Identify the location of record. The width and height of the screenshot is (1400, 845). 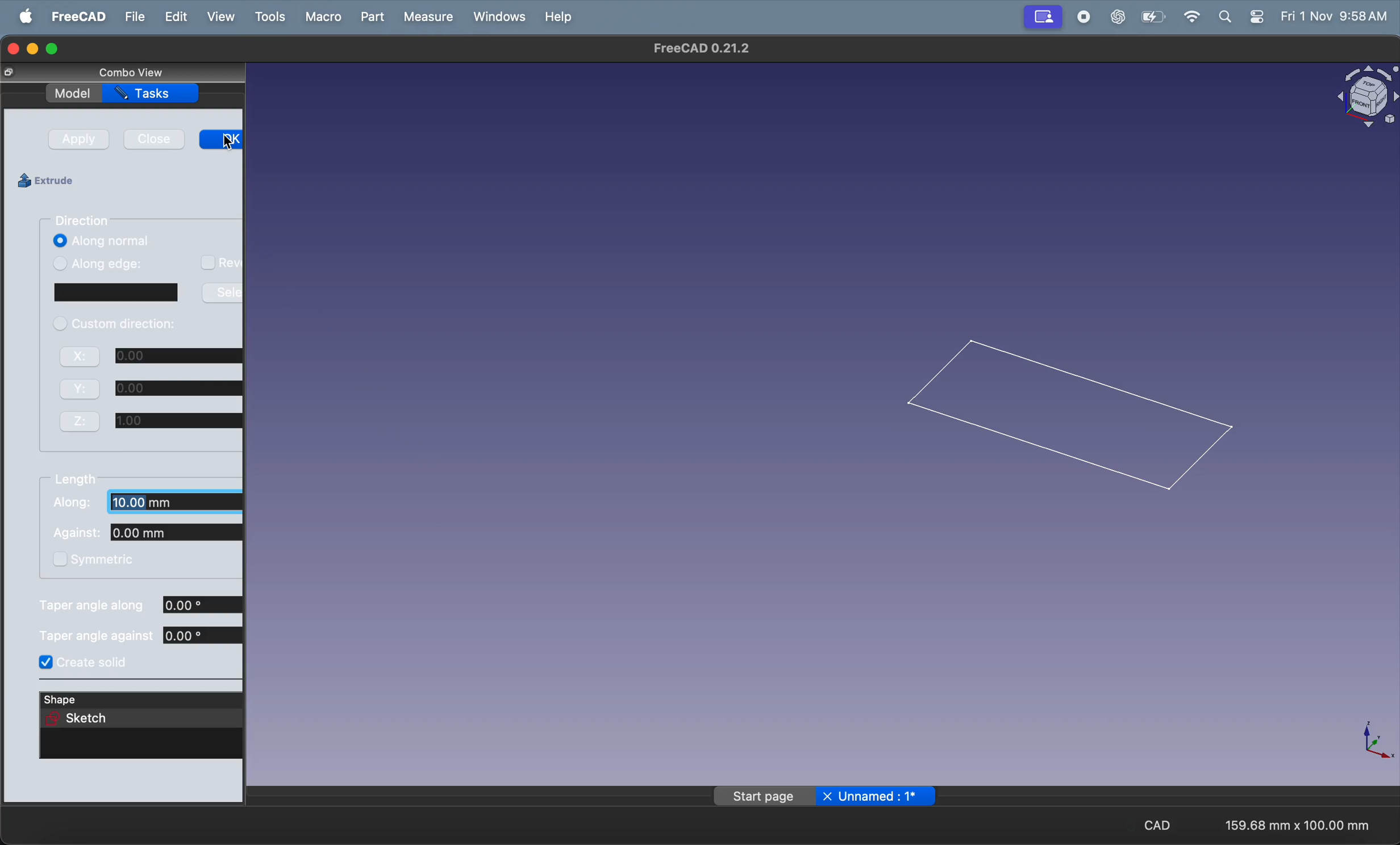
(1085, 17).